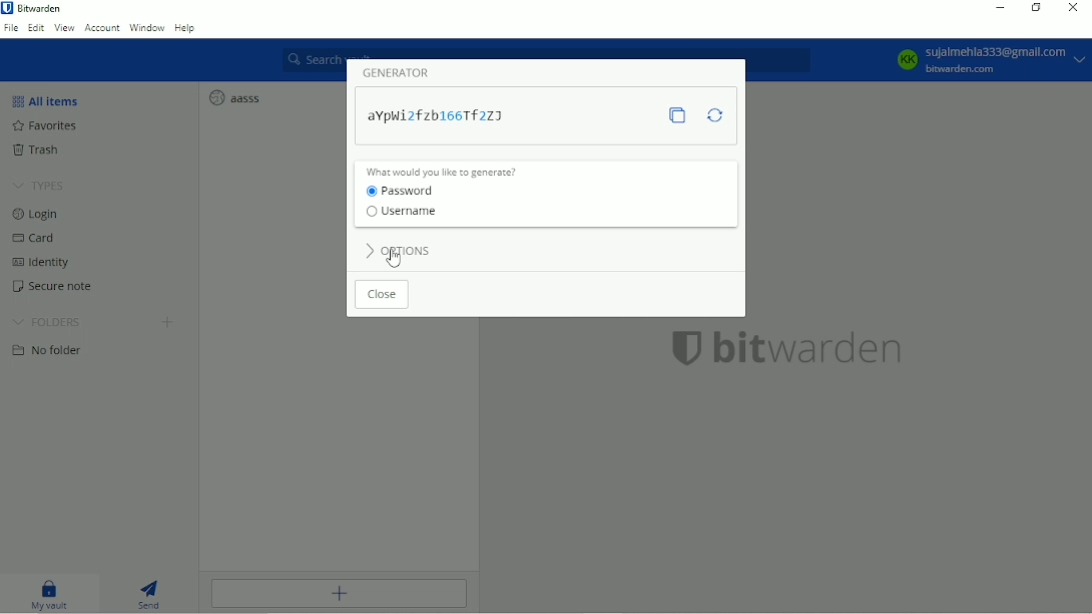 This screenshot has height=614, width=1092. Describe the element at coordinates (12, 29) in the screenshot. I see `File` at that location.